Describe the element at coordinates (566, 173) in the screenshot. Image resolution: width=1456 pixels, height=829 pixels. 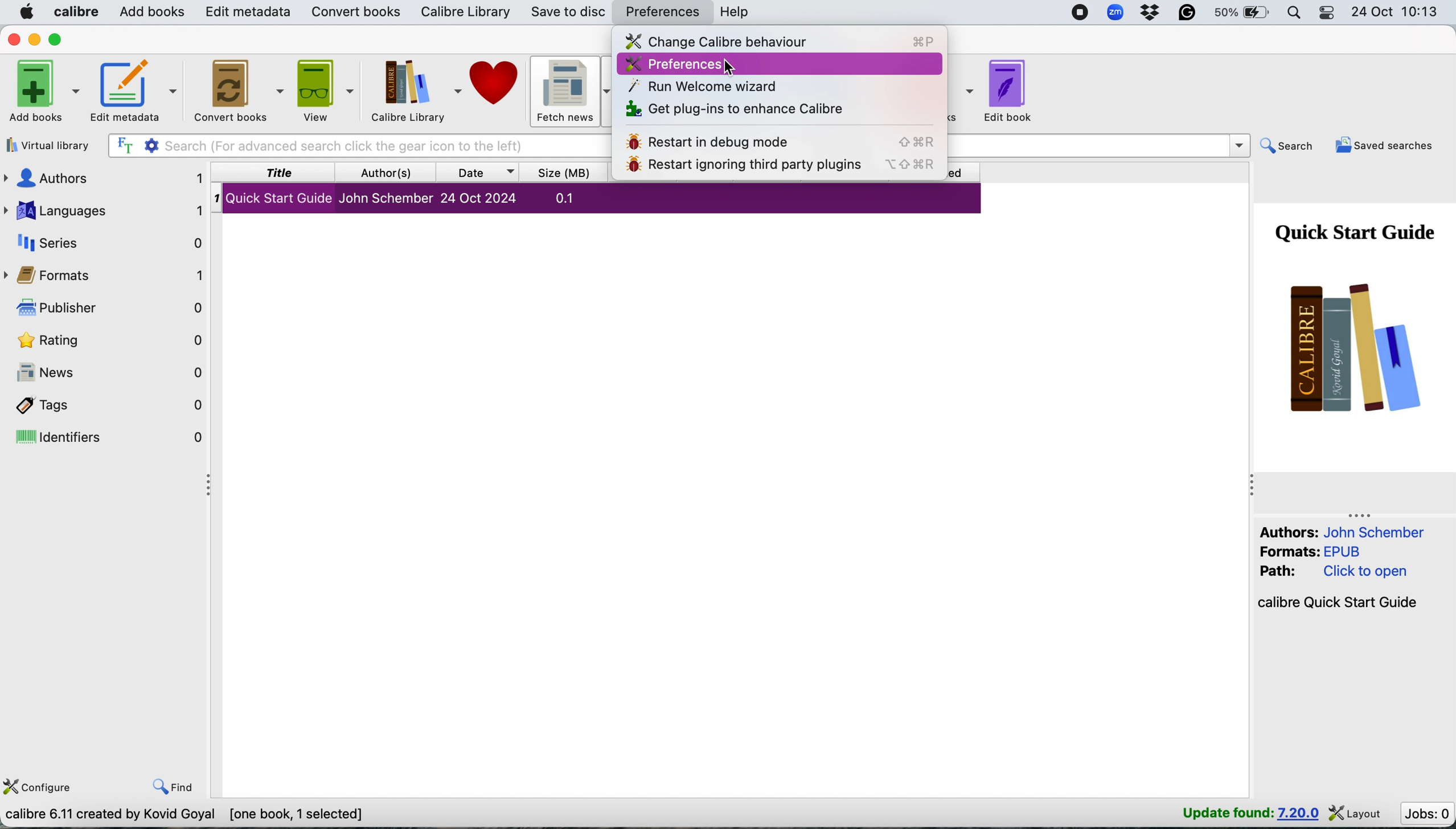
I see `size` at that location.